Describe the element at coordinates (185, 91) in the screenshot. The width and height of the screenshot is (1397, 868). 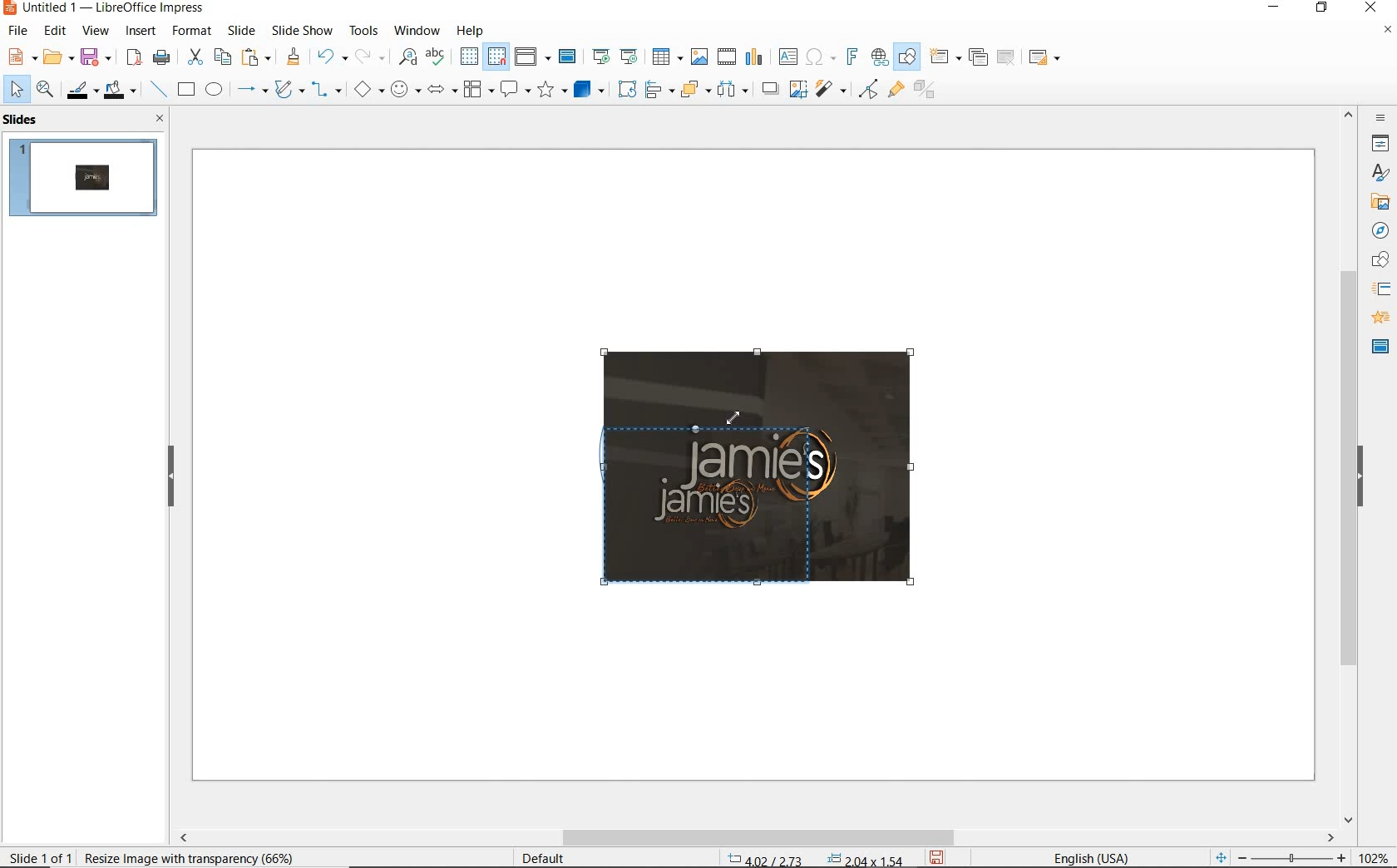
I see `rectangle` at that location.